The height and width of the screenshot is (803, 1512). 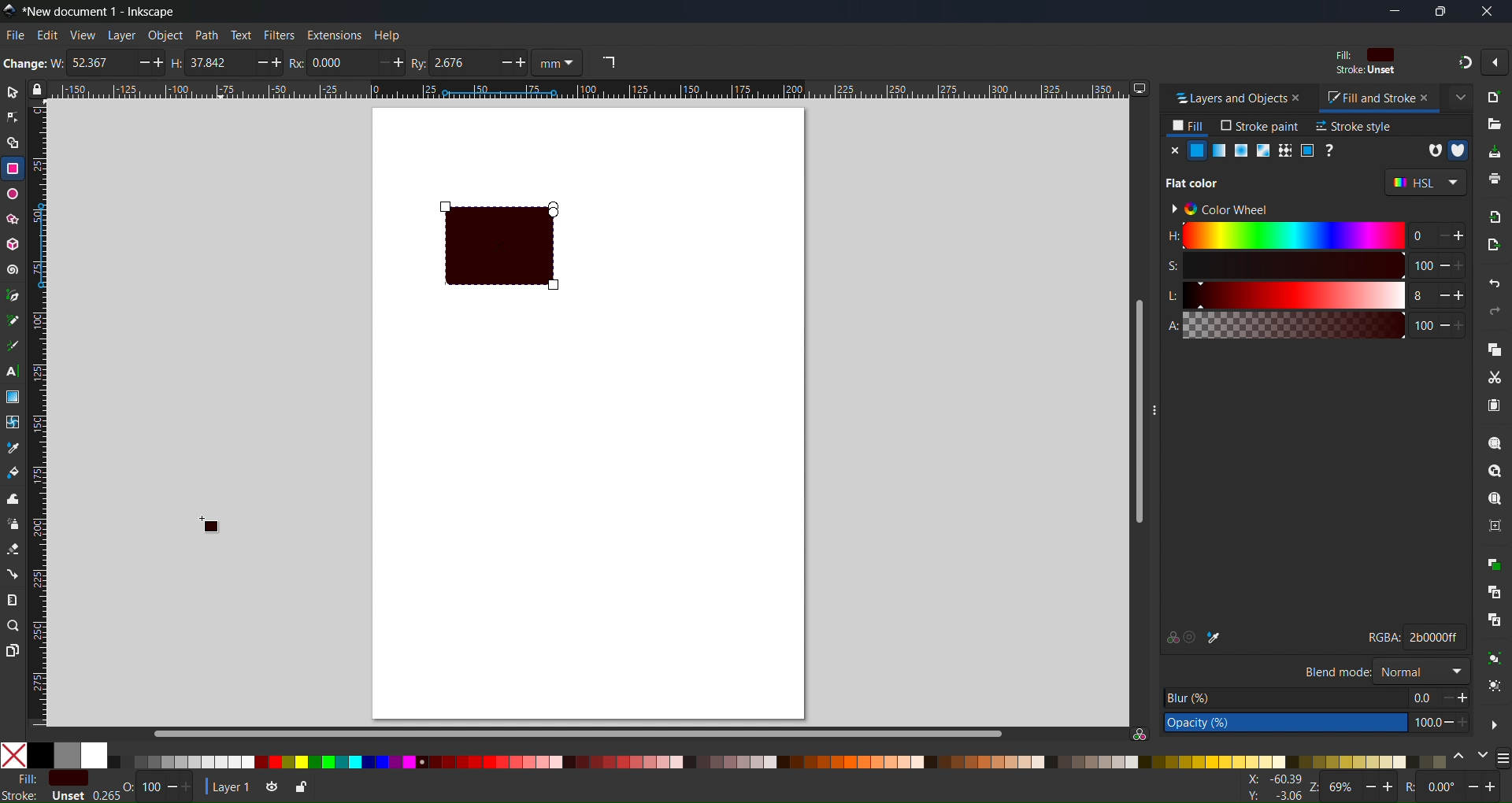 What do you see at coordinates (1134, 412) in the screenshot?
I see `Vertical scroll bar` at bounding box center [1134, 412].